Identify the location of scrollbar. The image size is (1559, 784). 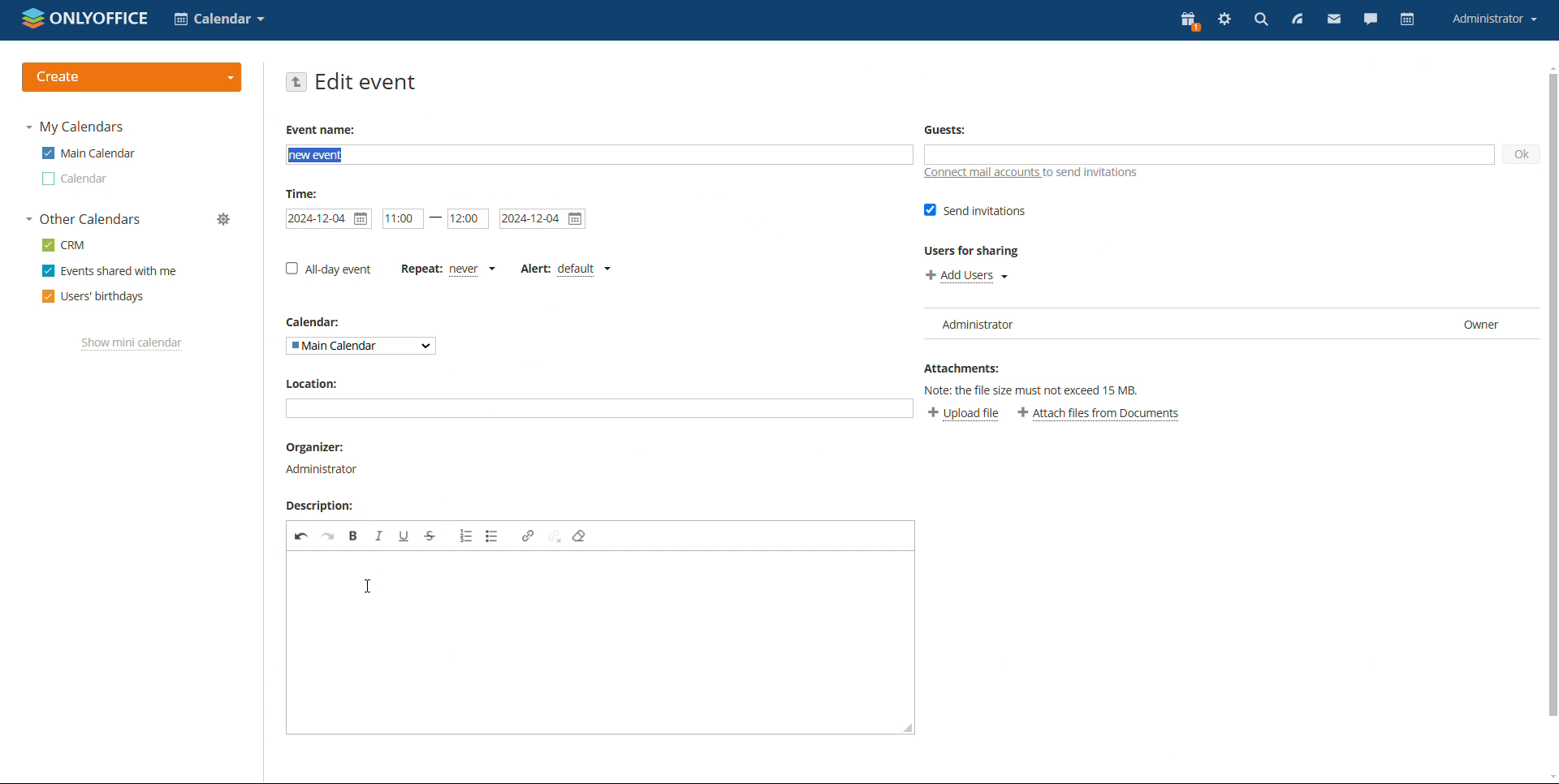
(1561, 400).